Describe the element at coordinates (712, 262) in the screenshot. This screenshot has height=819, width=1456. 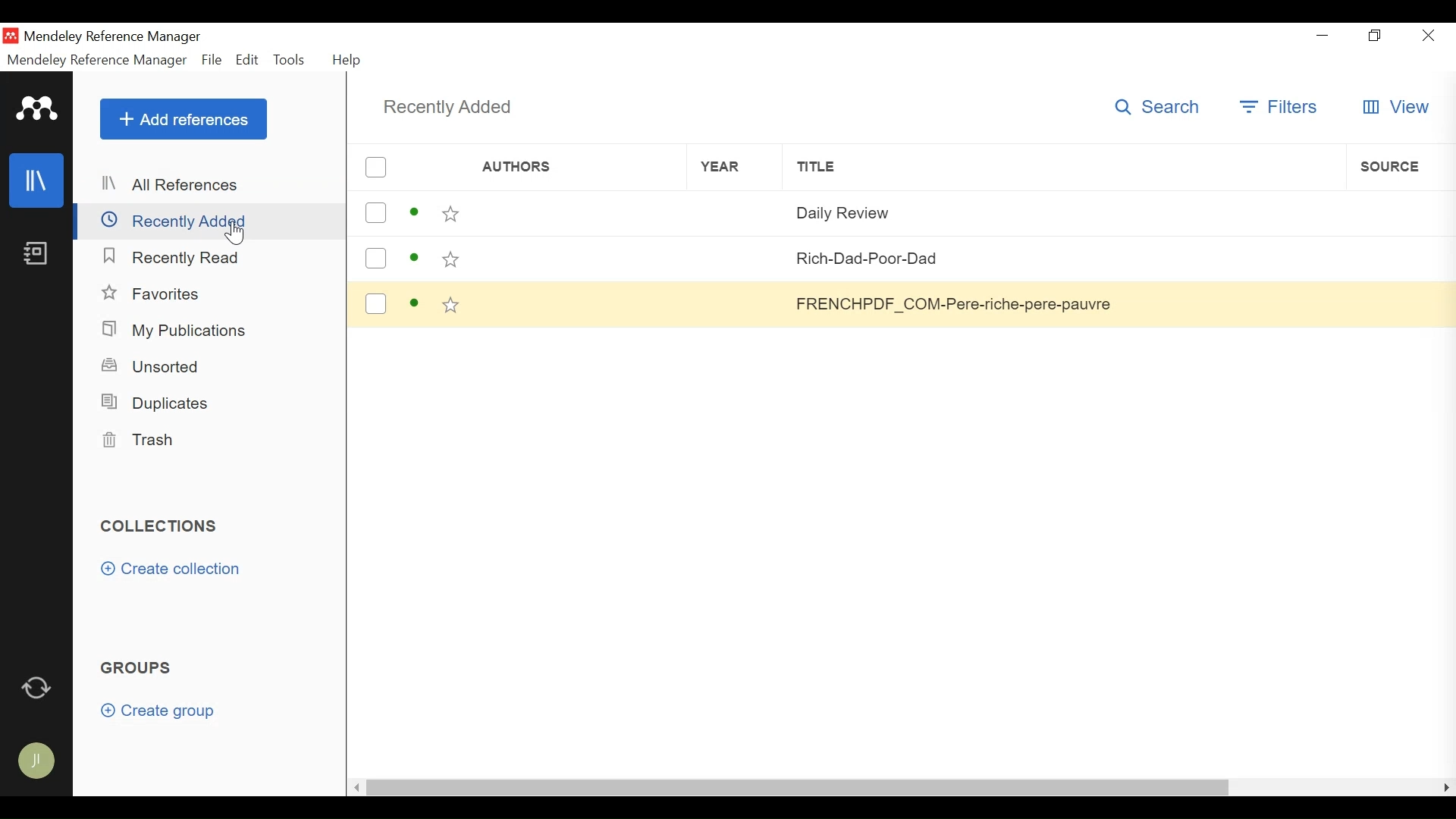
I see `Year` at that location.